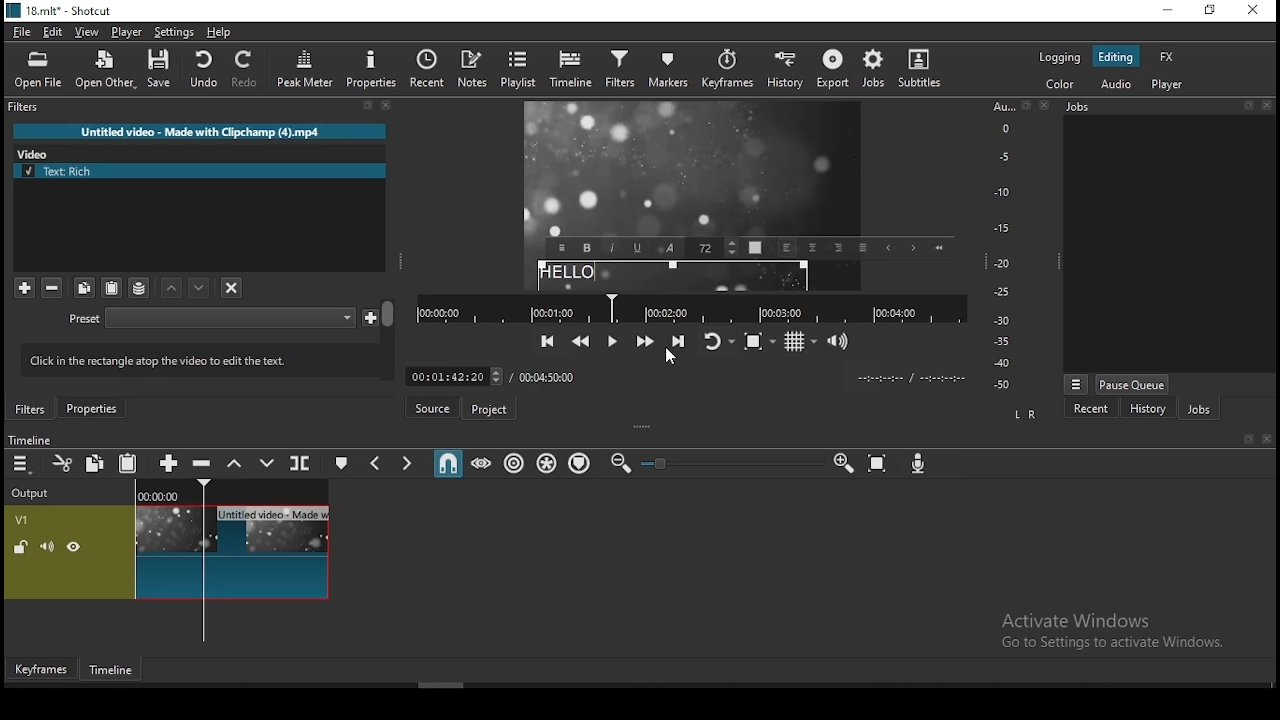  What do you see at coordinates (925, 72) in the screenshot?
I see `subtitles` at bounding box center [925, 72].